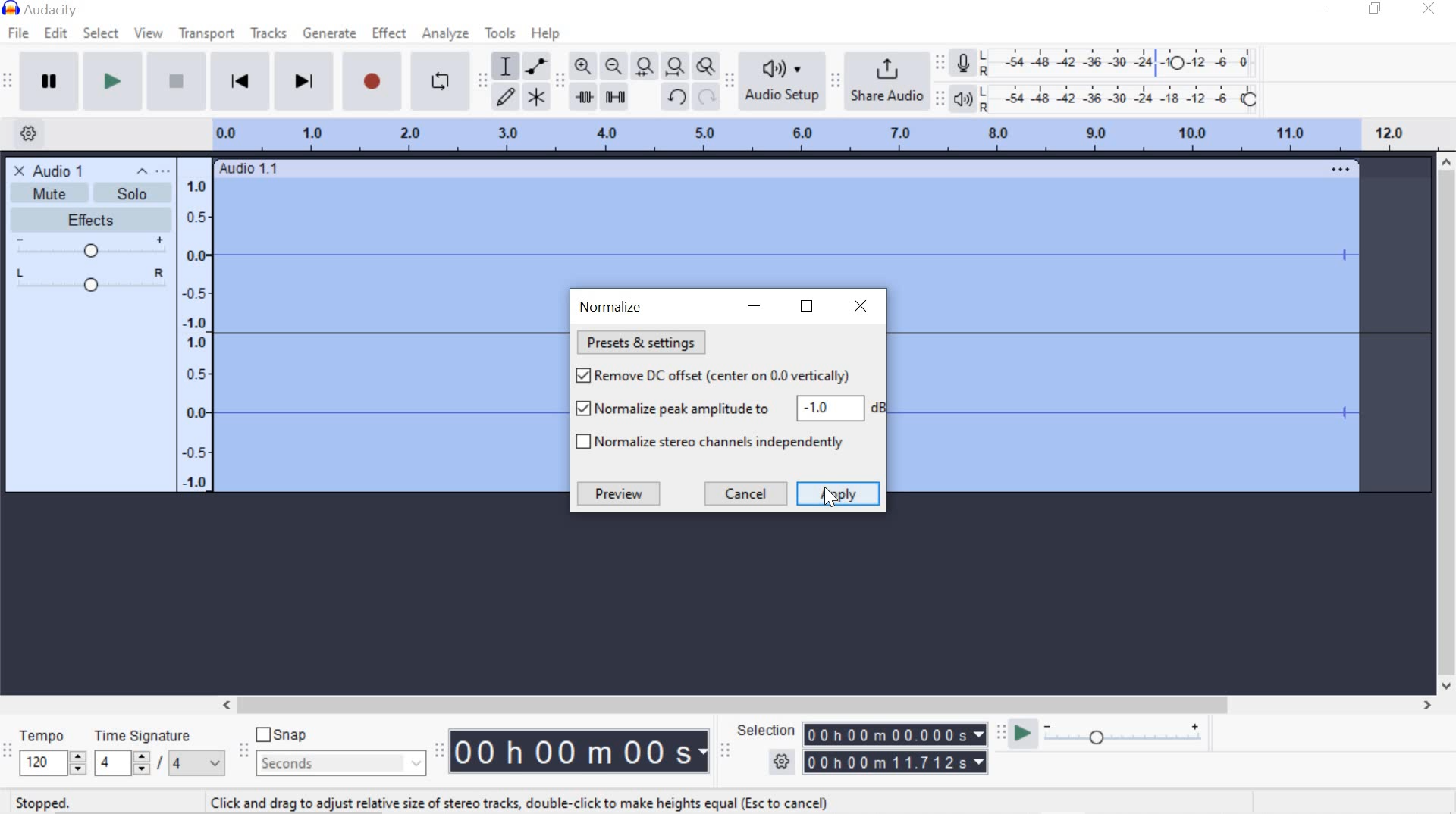 This screenshot has width=1456, height=814. I want to click on SELECTION OPTION, so click(783, 762).